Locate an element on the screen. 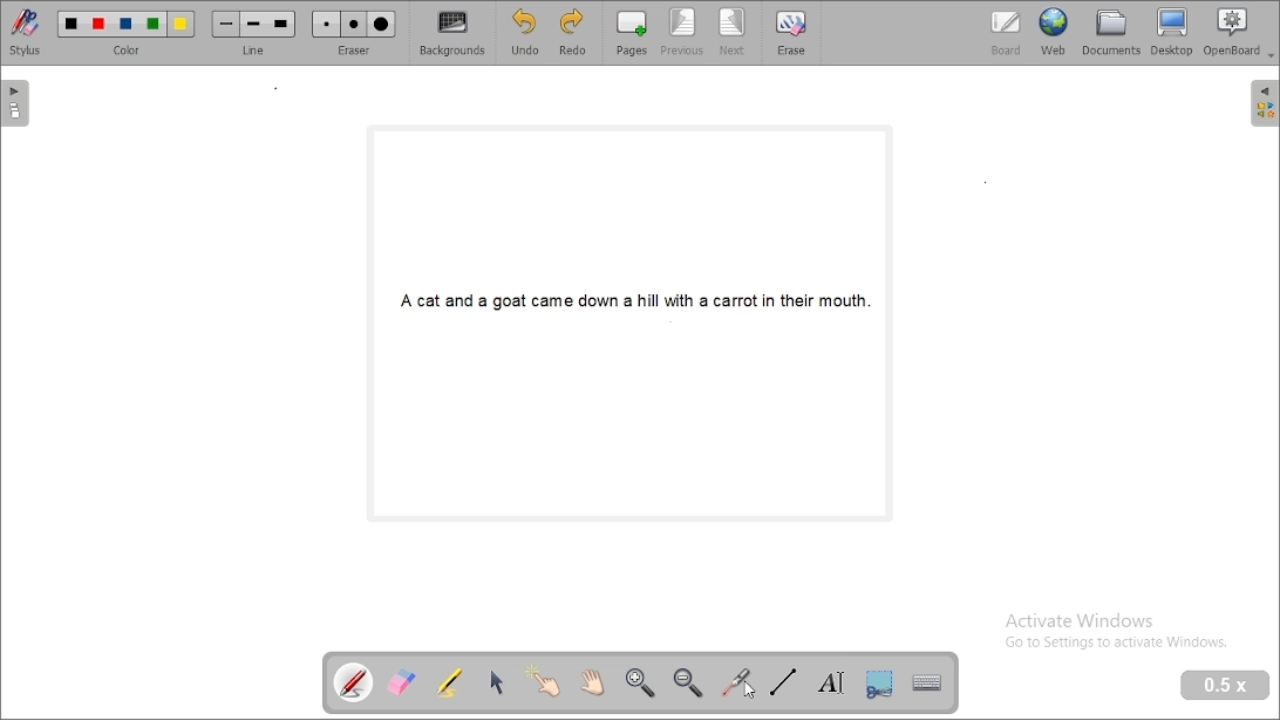  openboard is located at coordinates (1232, 32).